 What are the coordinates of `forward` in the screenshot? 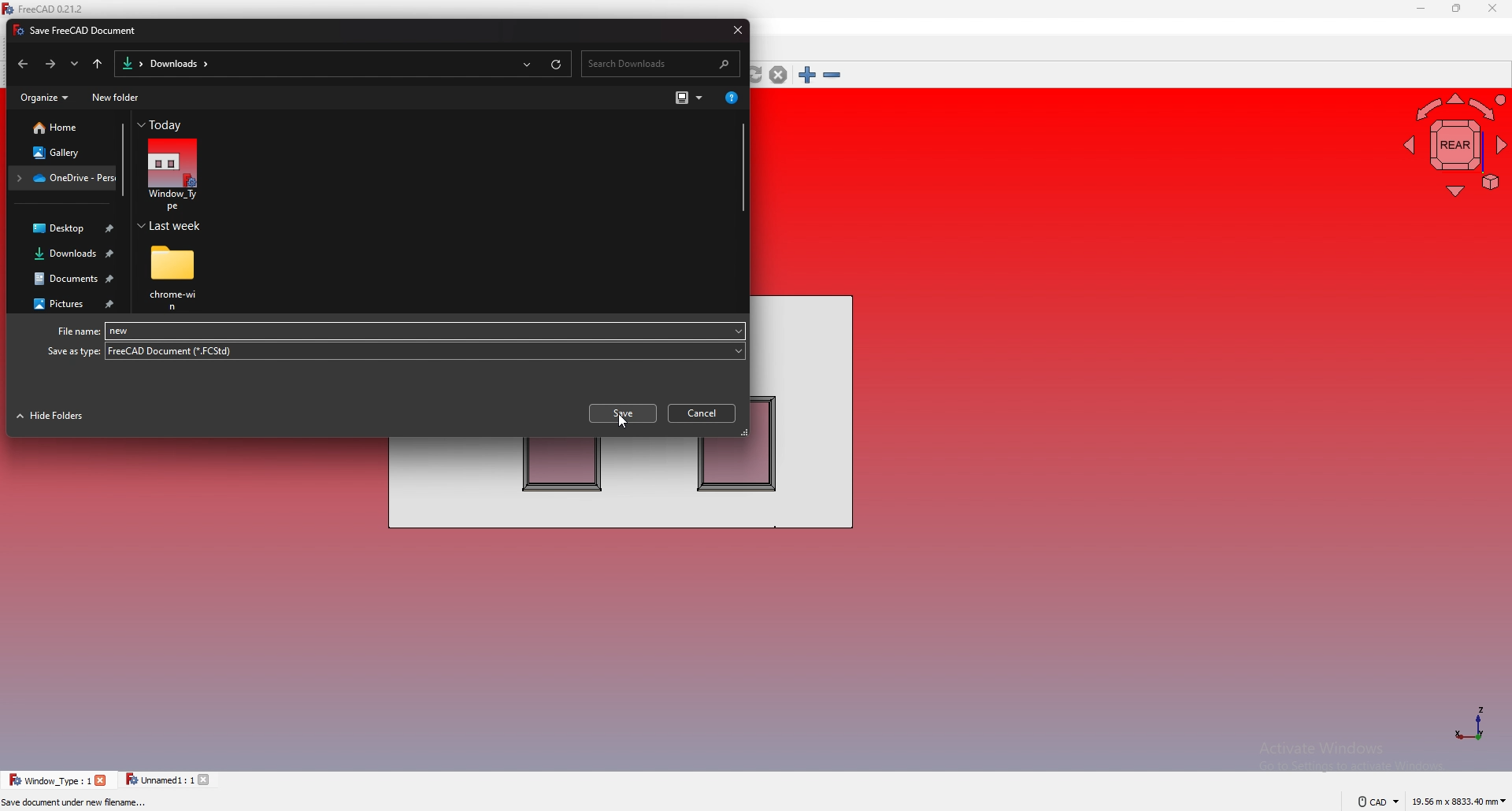 It's located at (50, 65).